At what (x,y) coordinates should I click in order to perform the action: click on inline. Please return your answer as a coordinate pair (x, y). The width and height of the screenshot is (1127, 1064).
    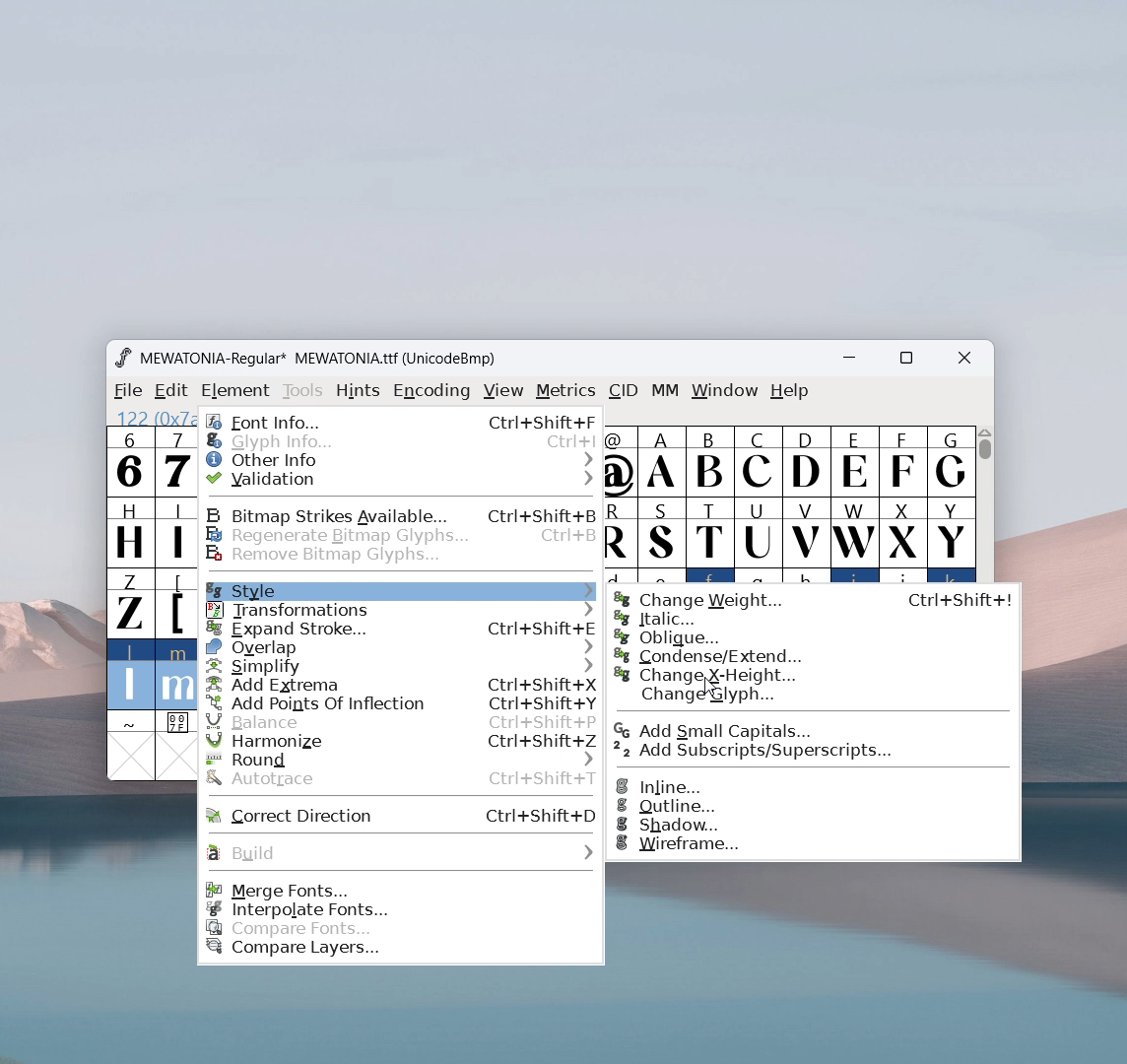
    Looking at the image, I should click on (816, 785).